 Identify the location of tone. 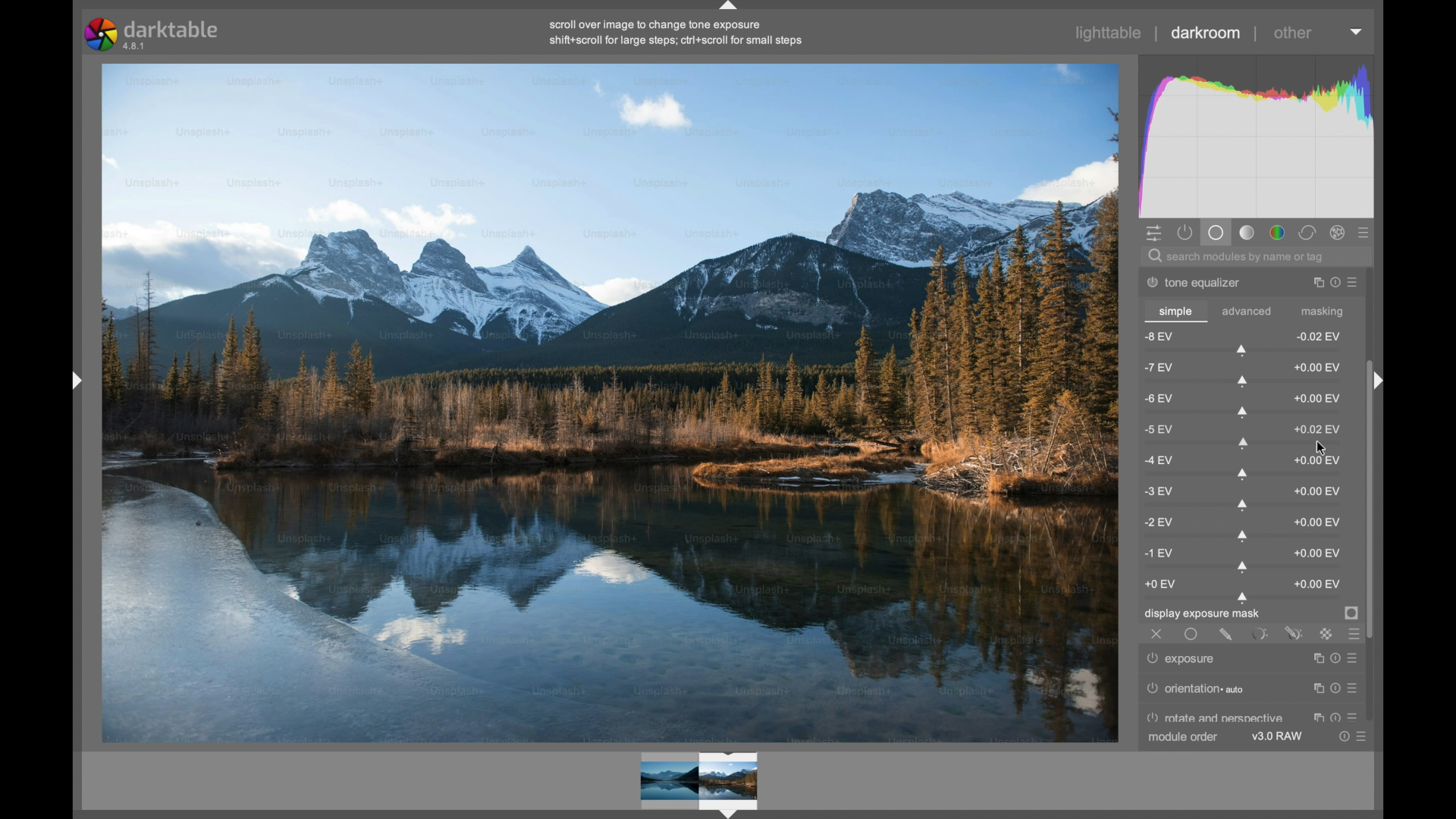
(1248, 232).